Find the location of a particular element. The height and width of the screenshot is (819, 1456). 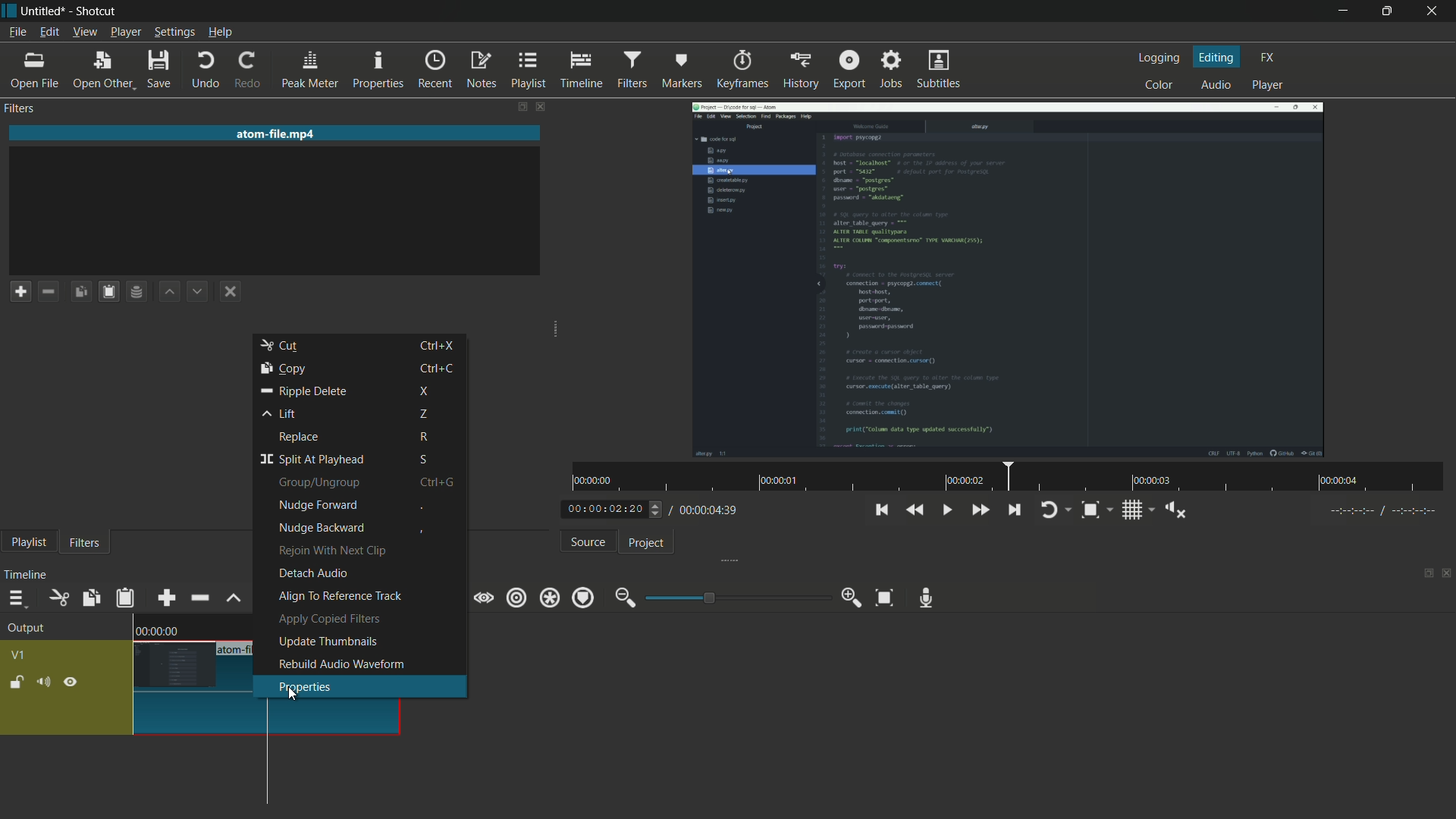

zoom out is located at coordinates (625, 598).